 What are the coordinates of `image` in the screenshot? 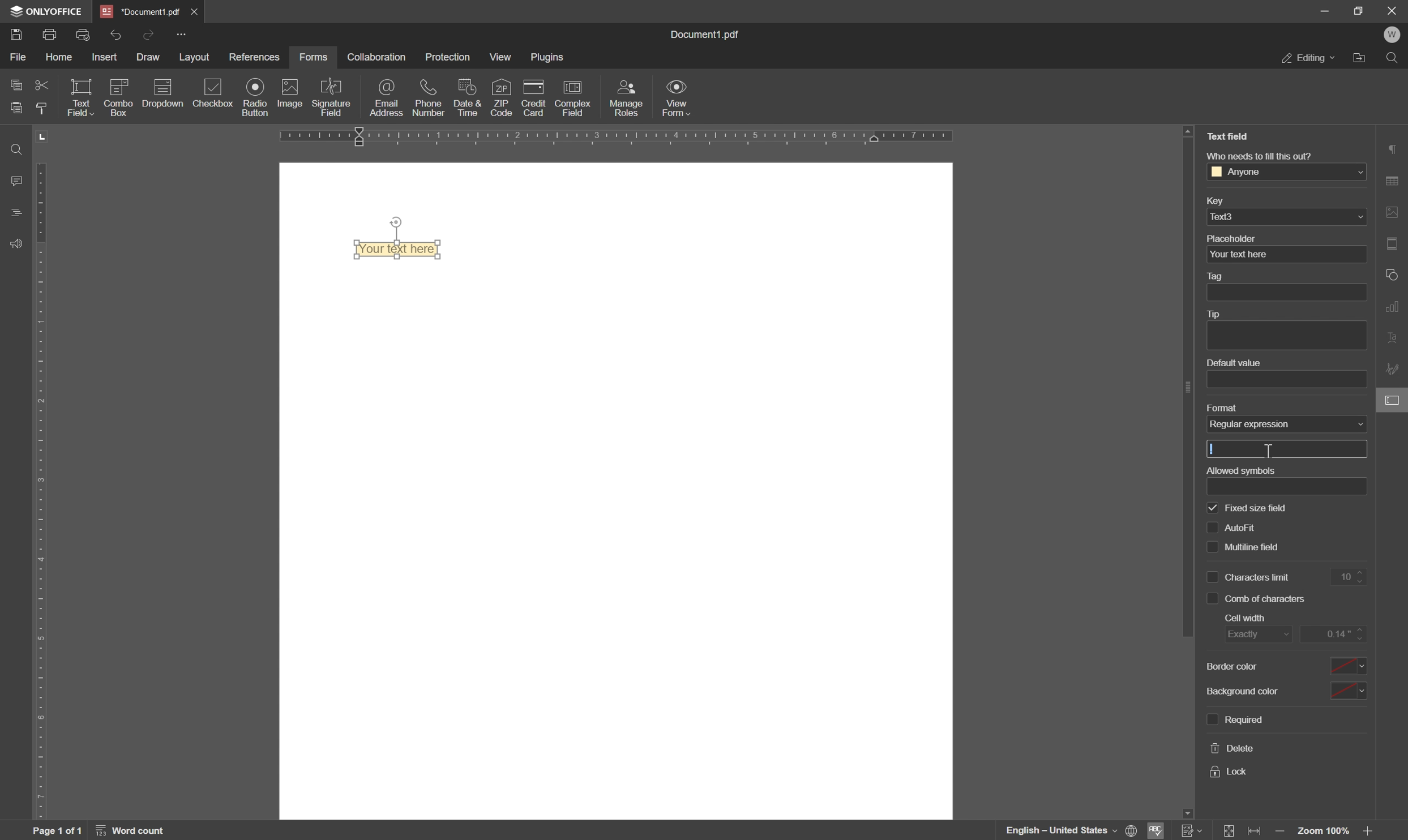 It's located at (289, 94).